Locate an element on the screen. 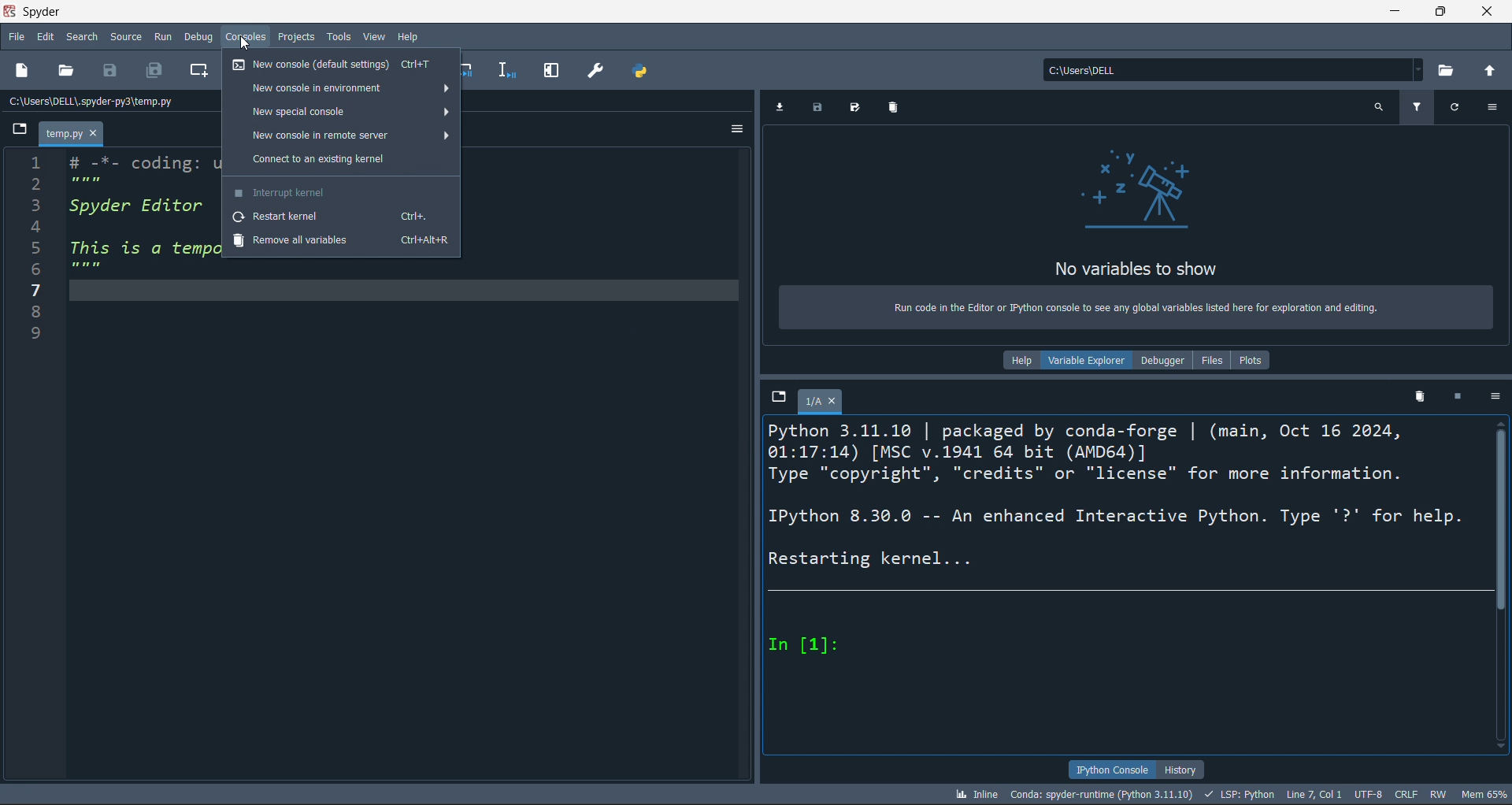  more options is located at coordinates (732, 131).